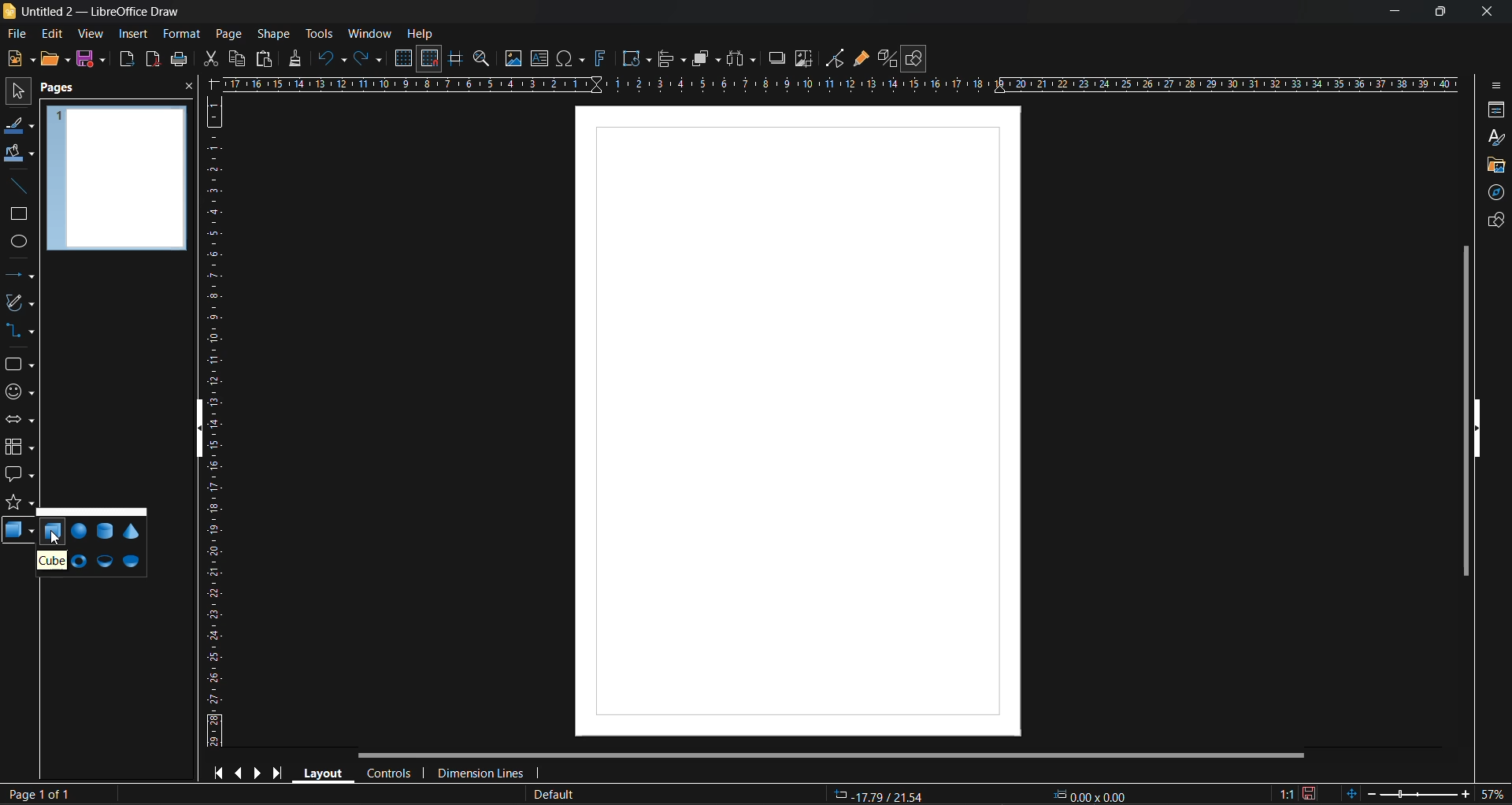  Describe the element at coordinates (20, 533) in the screenshot. I see `3d shapes` at that location.